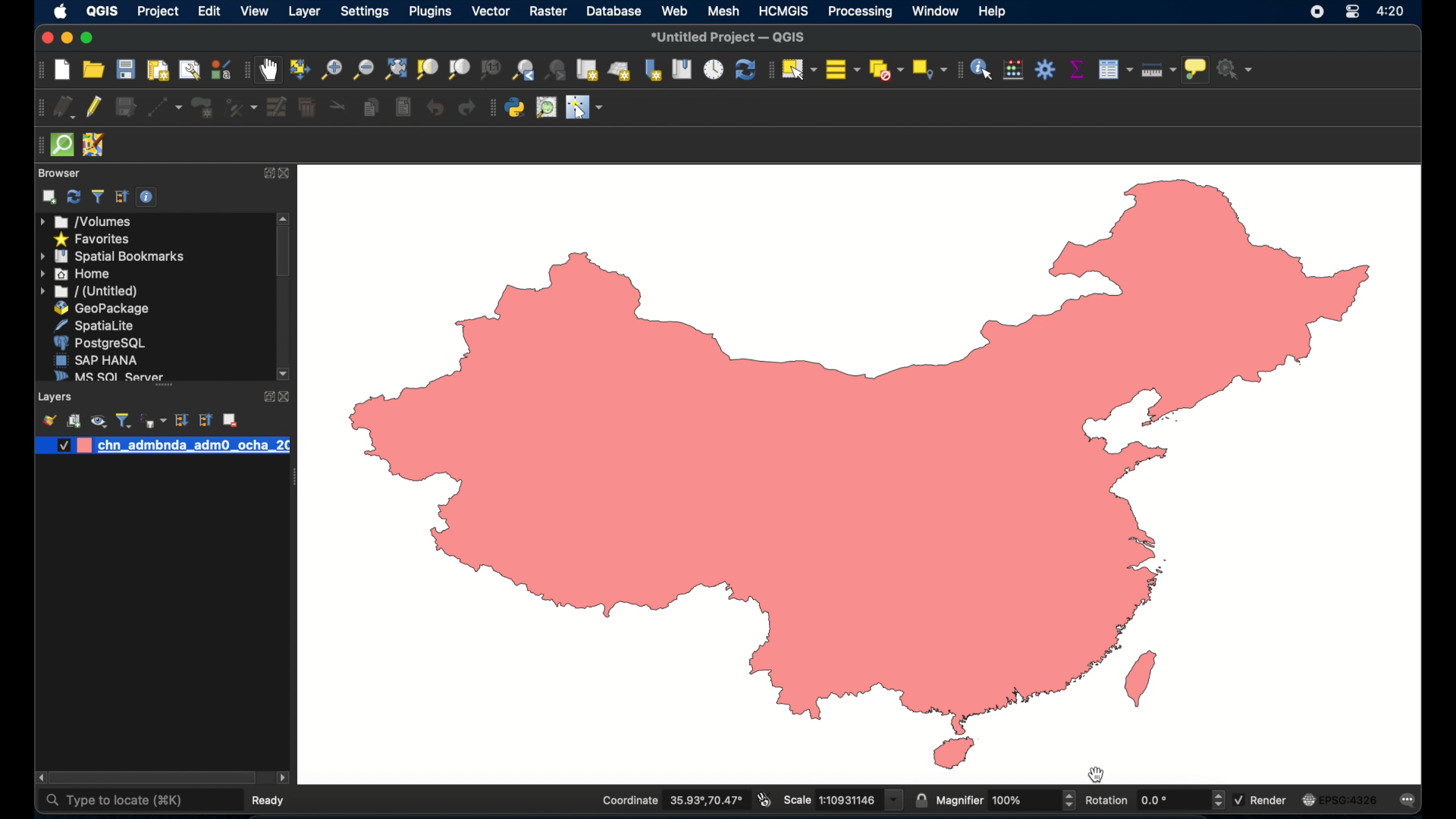 This screenshot has height=819, width=1456. Describe the element at coordinates (330, 69) in the screenshot. I see `zoom in` at that location.